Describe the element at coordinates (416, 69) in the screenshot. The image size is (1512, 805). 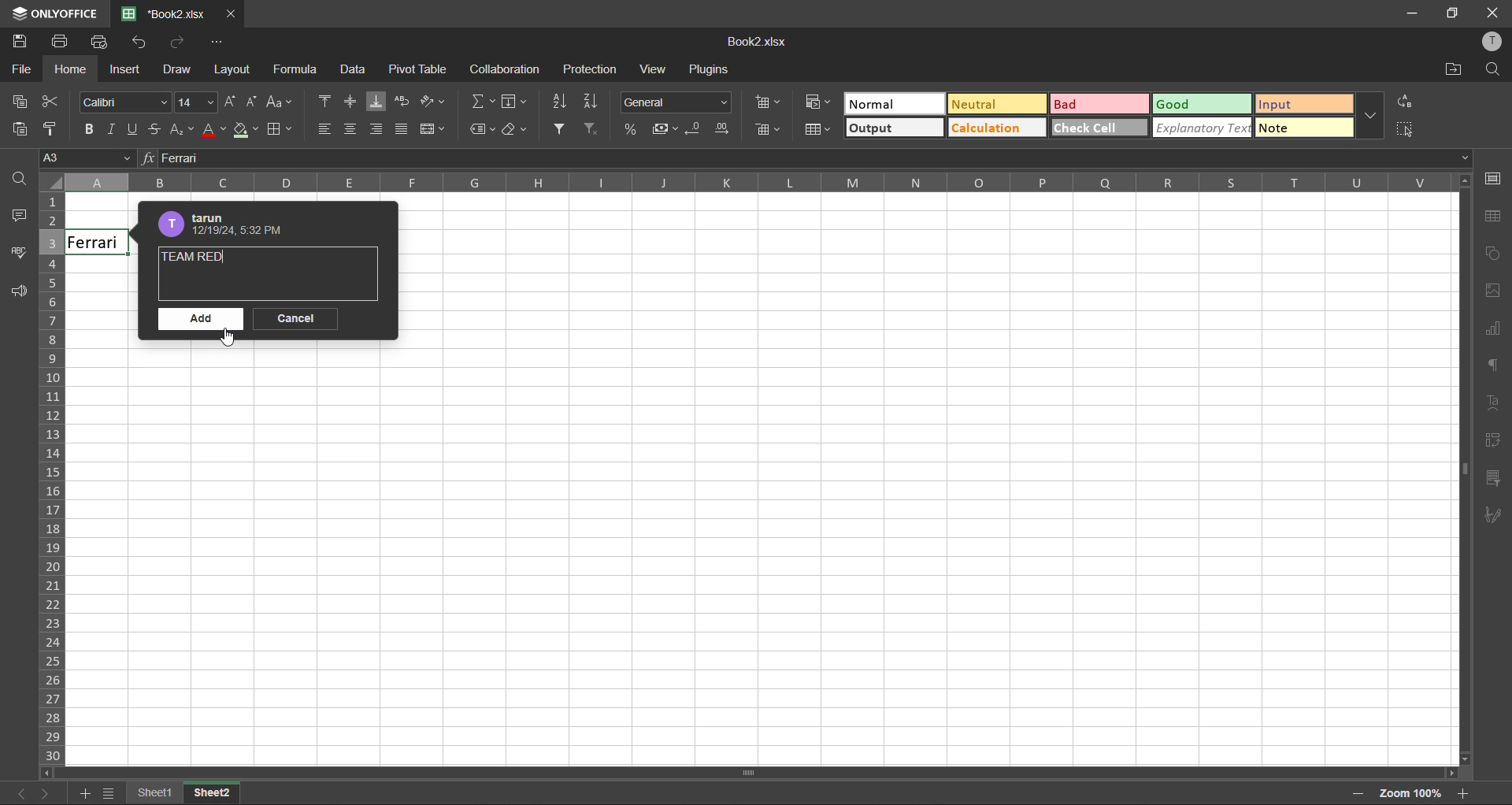
I see `pivot table` at that location.